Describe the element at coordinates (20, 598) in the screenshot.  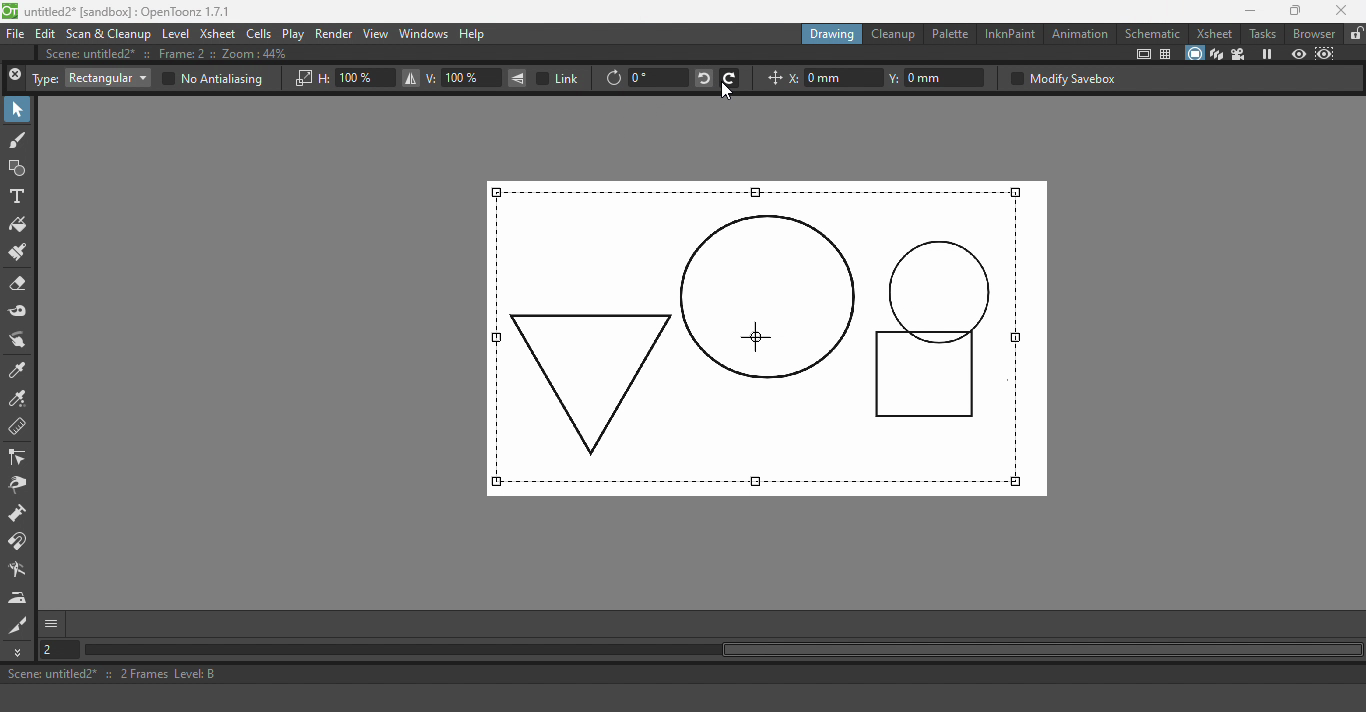
I see `Iron tool` at that location.